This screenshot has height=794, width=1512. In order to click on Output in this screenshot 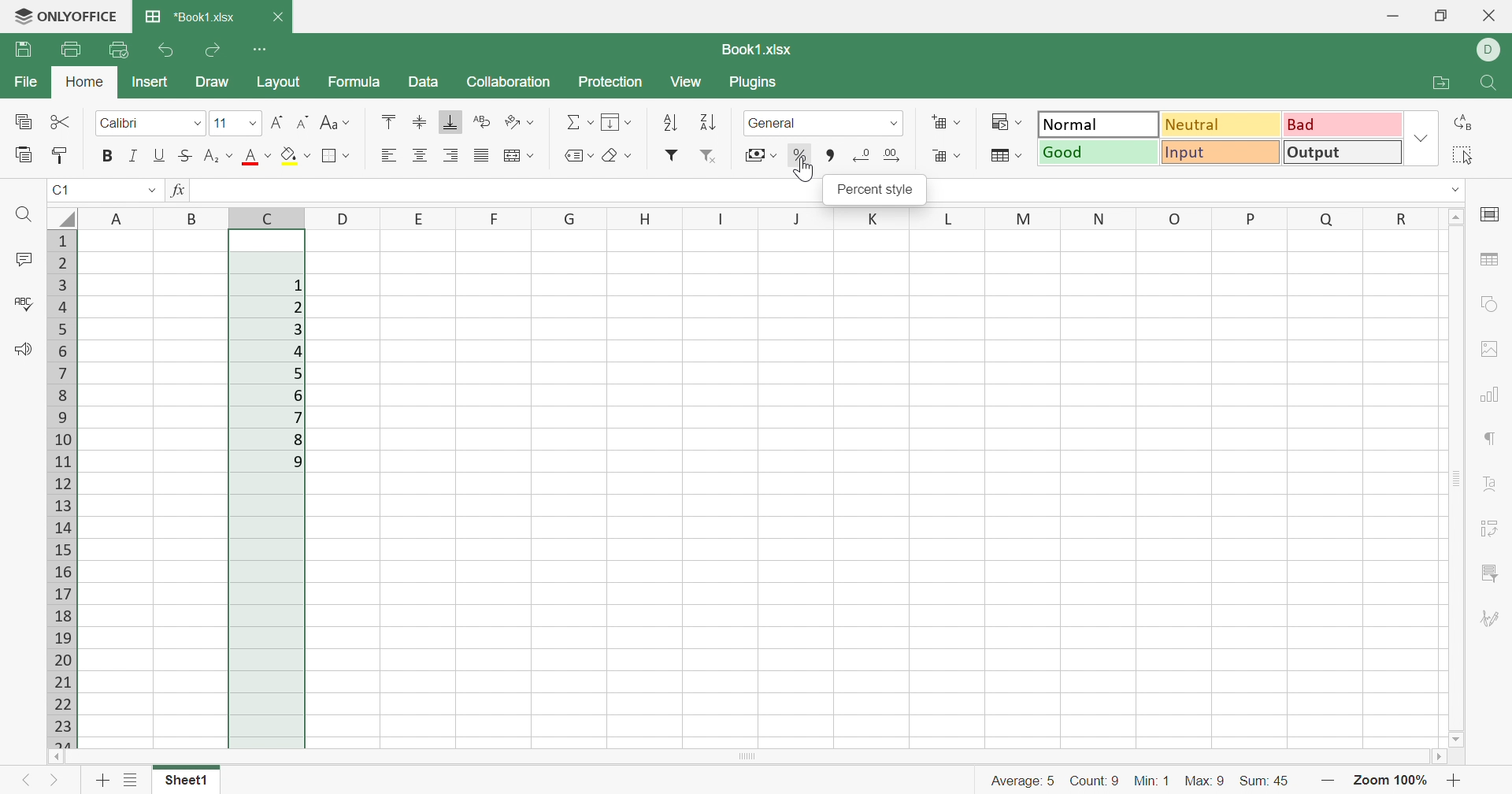, I will do `click(1344, 153)`.